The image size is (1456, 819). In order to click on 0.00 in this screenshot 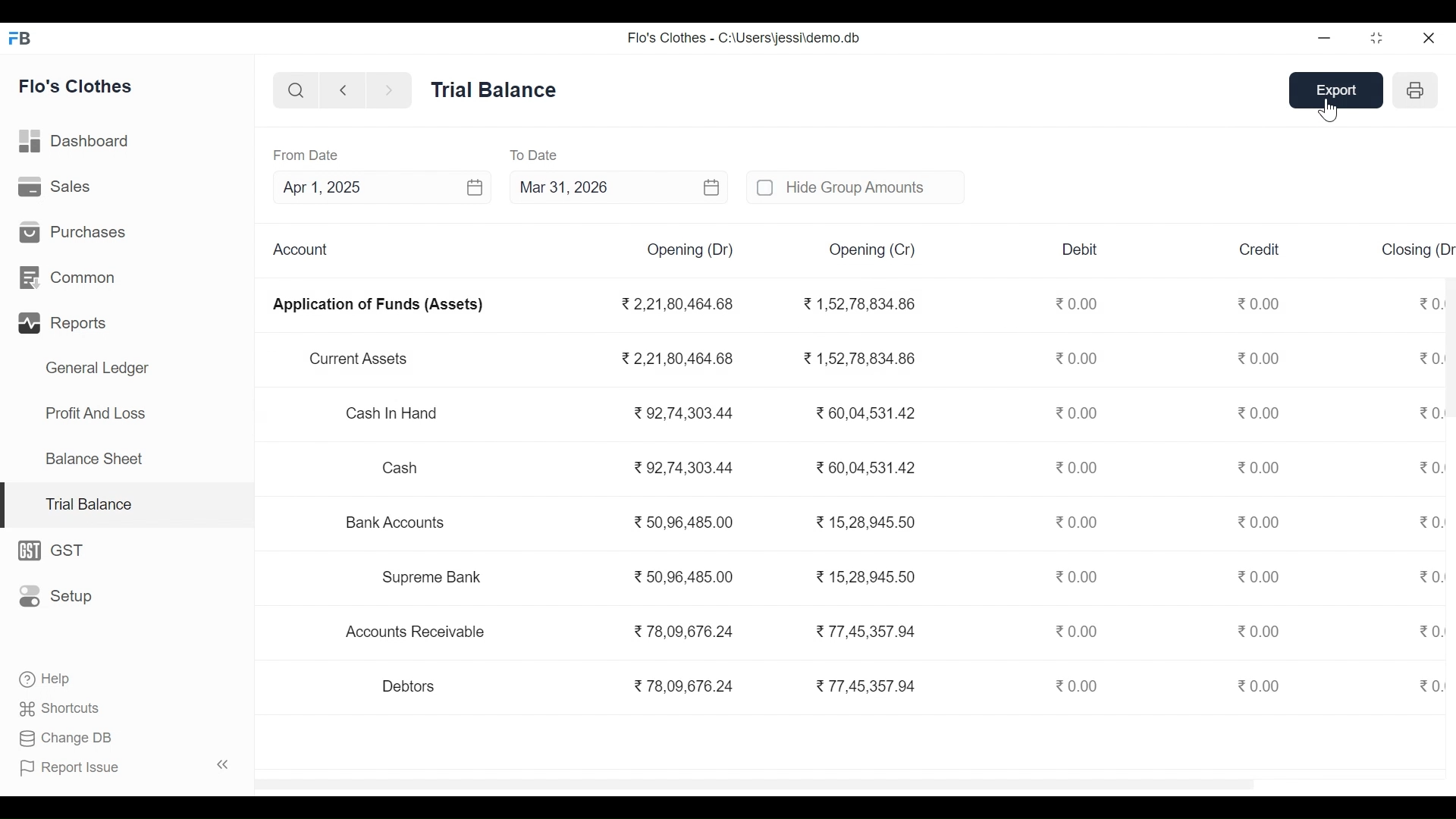, I will do `click(1081, 359)`.